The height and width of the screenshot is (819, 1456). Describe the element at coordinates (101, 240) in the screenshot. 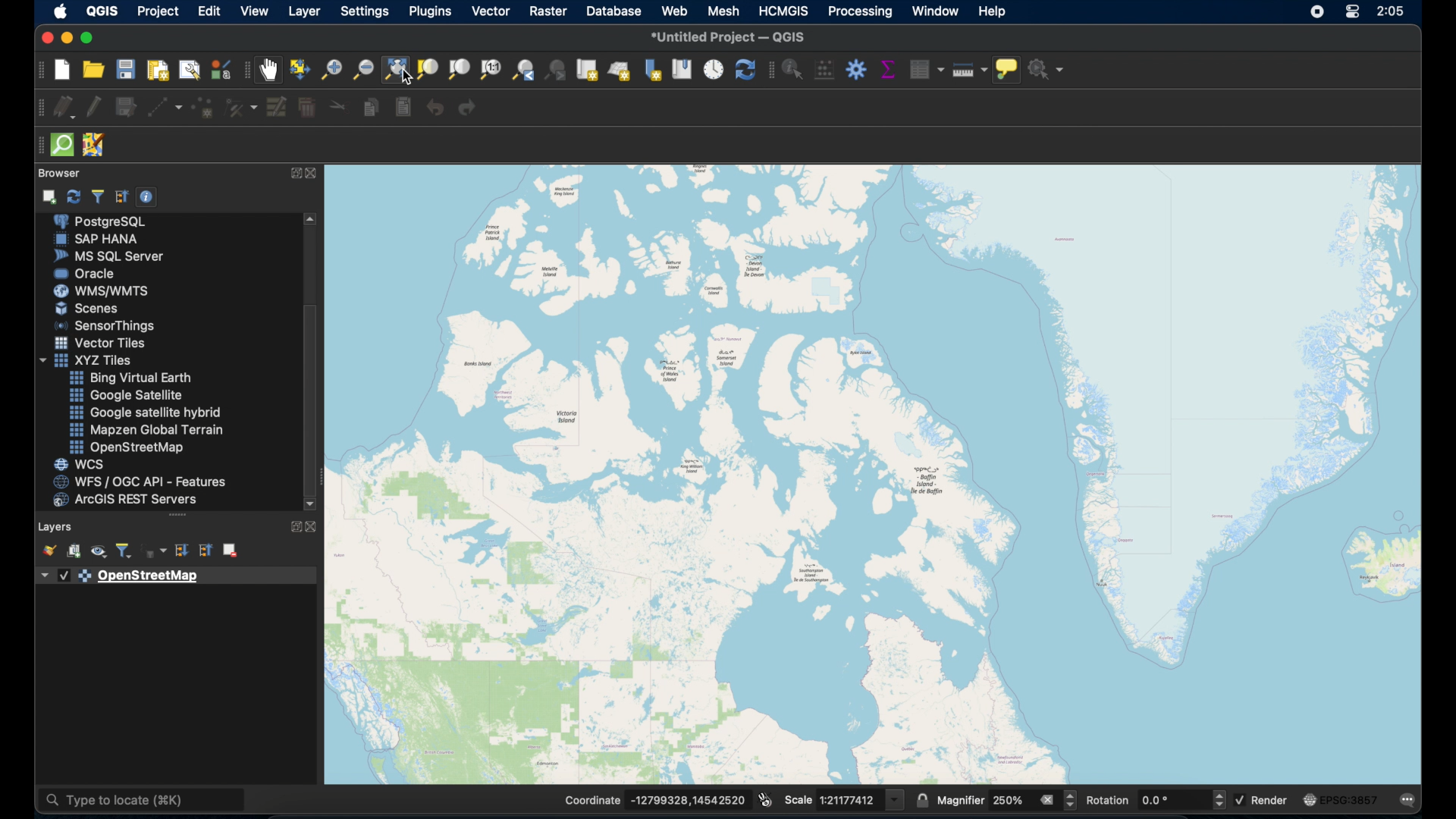

I see `sap hana` at that location.